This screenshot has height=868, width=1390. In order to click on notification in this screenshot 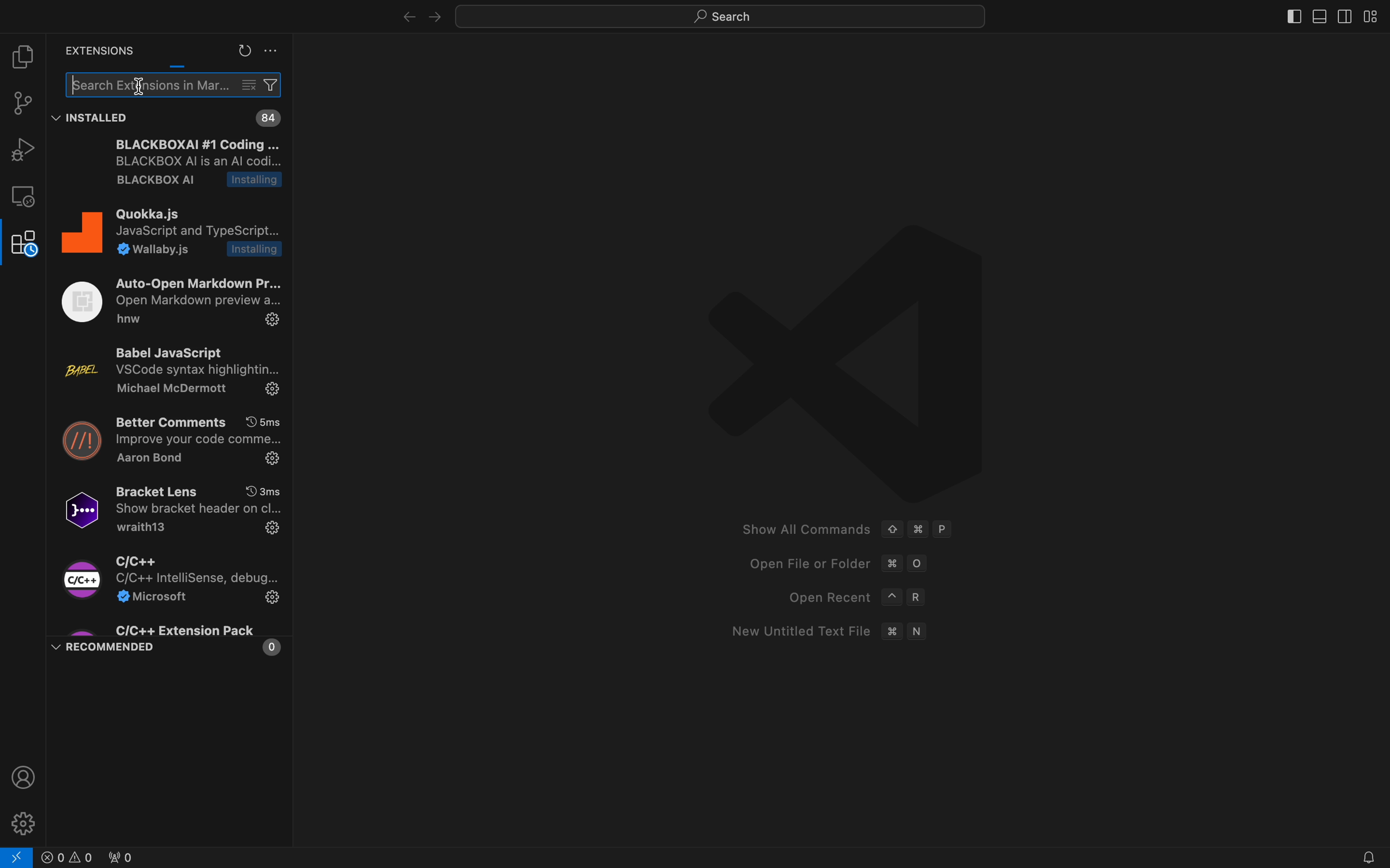, I will do `click(1368, 850)`.